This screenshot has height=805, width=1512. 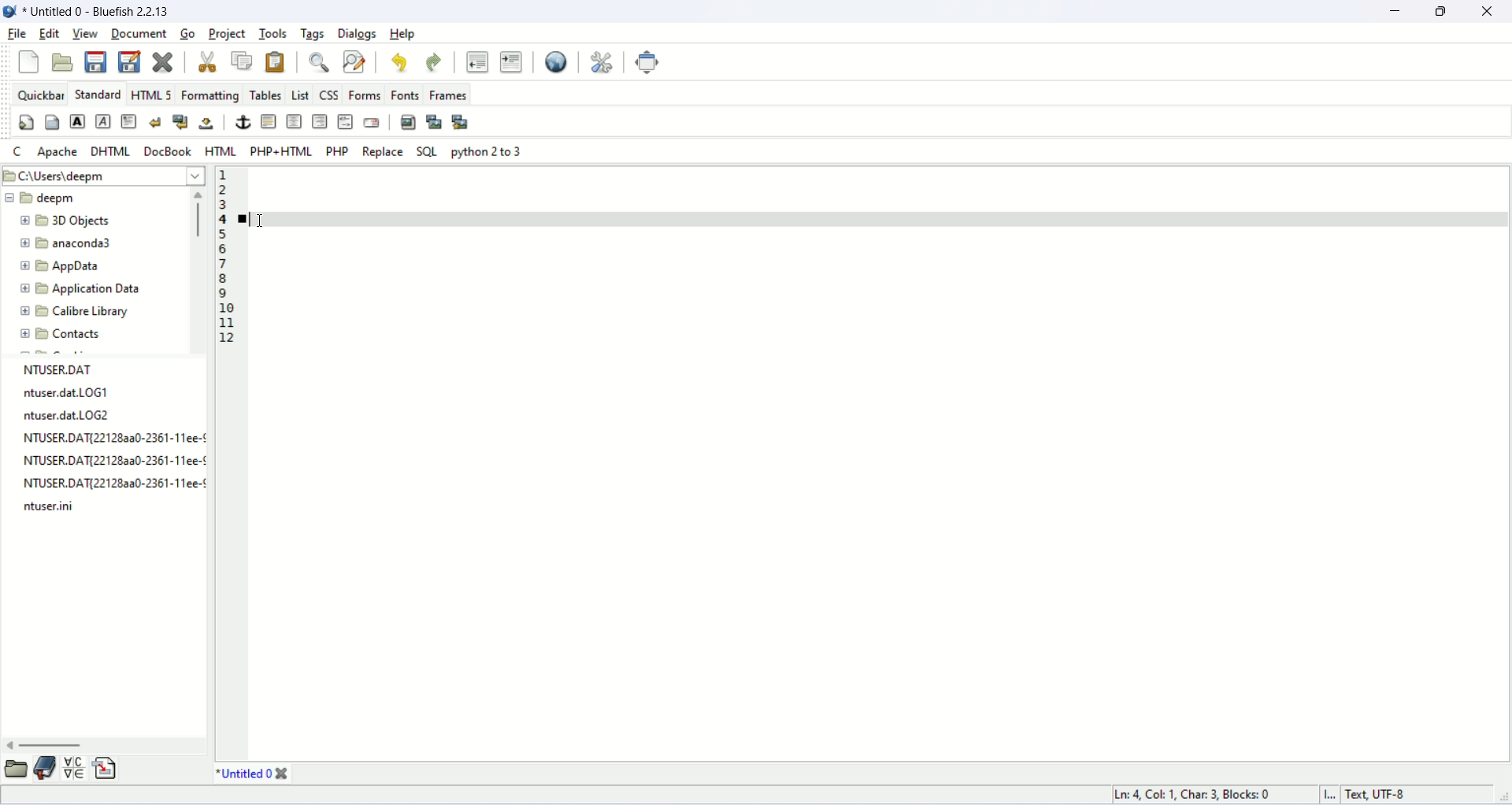 What do you see at coordinates (220, 151) in the screenshot?
I see `HTML` at bounding box center [220, 151].